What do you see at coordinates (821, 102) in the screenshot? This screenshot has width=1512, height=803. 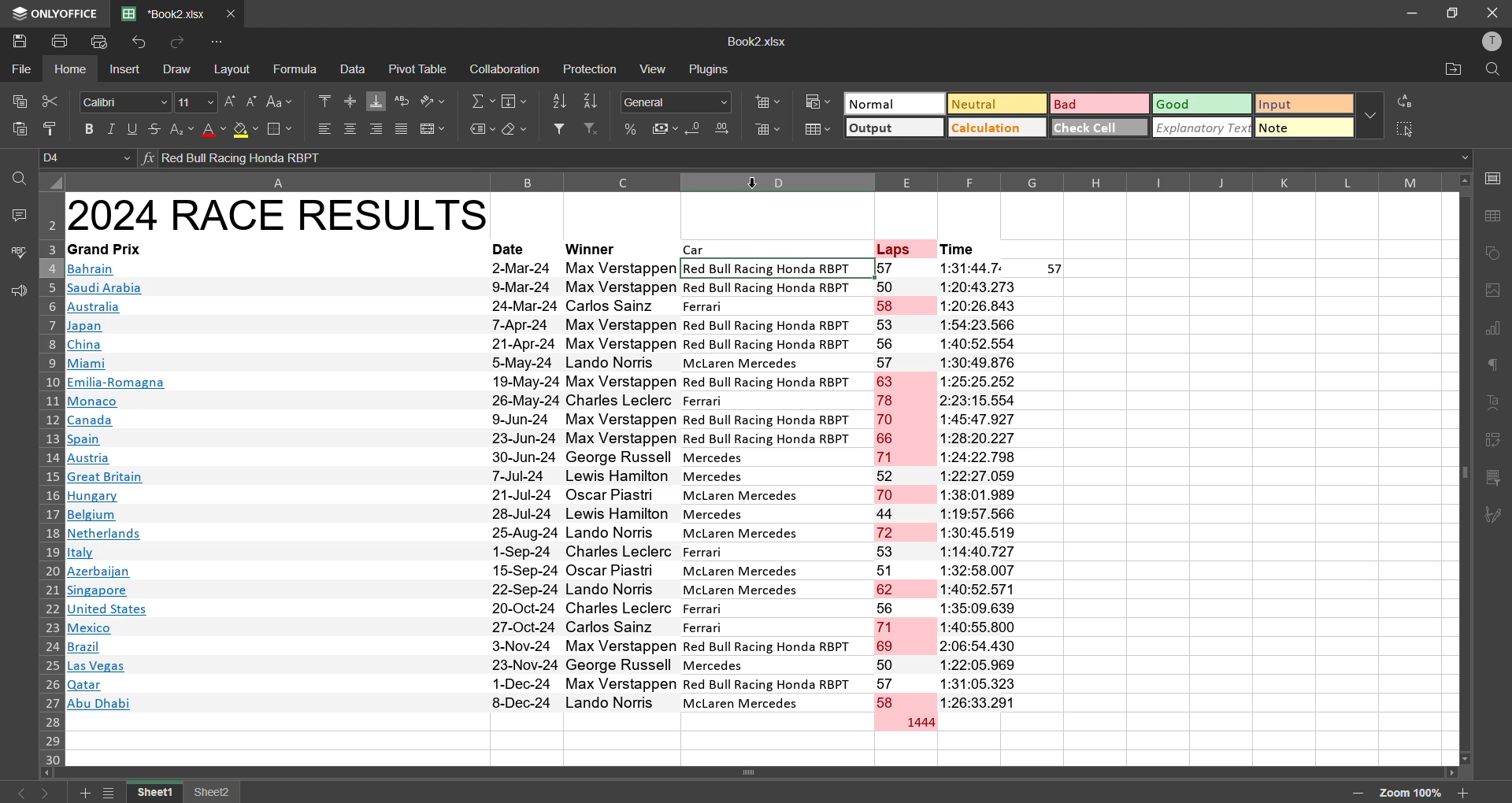 I see `conditional formatting` at bounding box center [821, 102].